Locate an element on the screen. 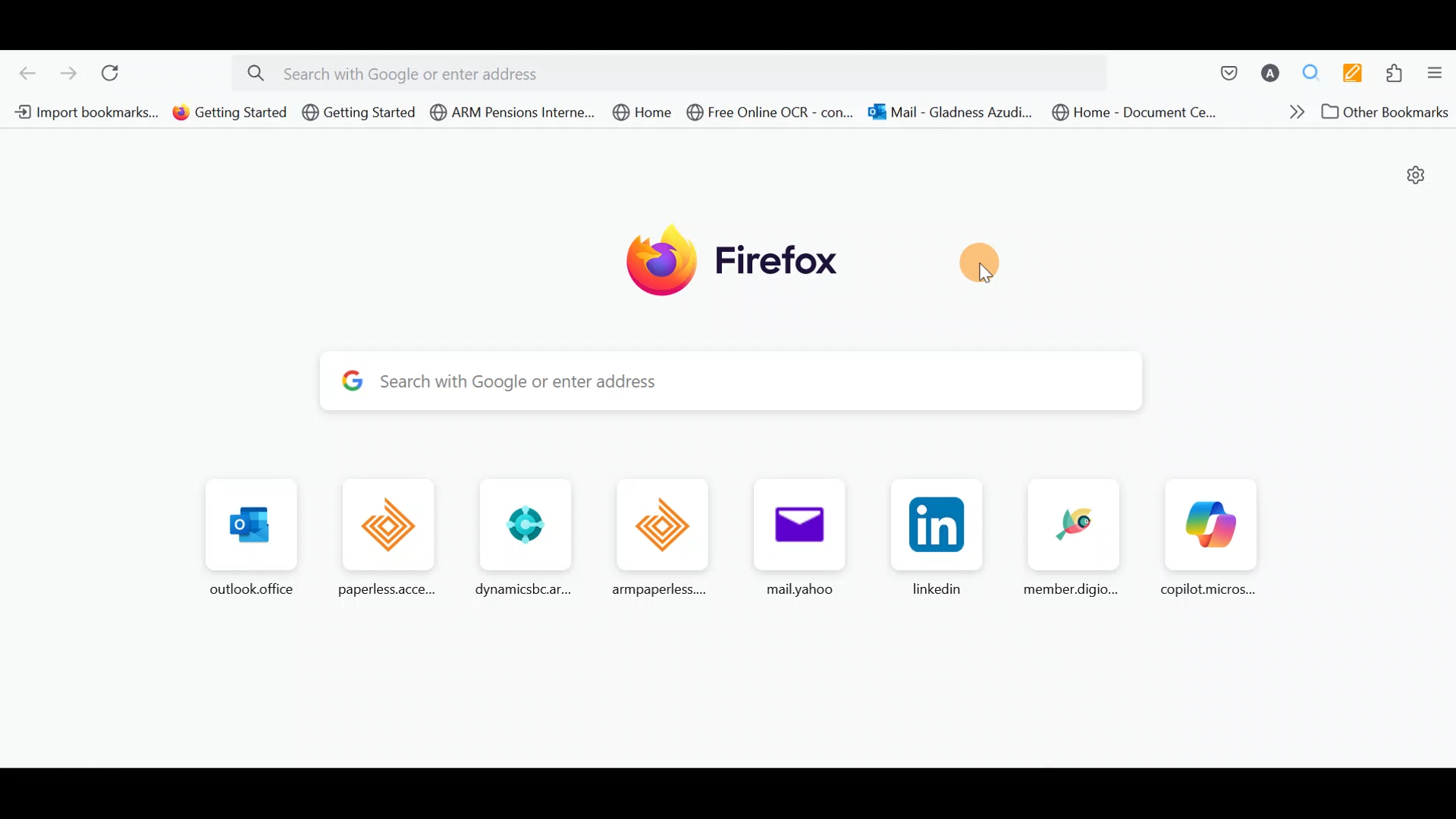  Save to pocket is located at coordinates (1227, 65).